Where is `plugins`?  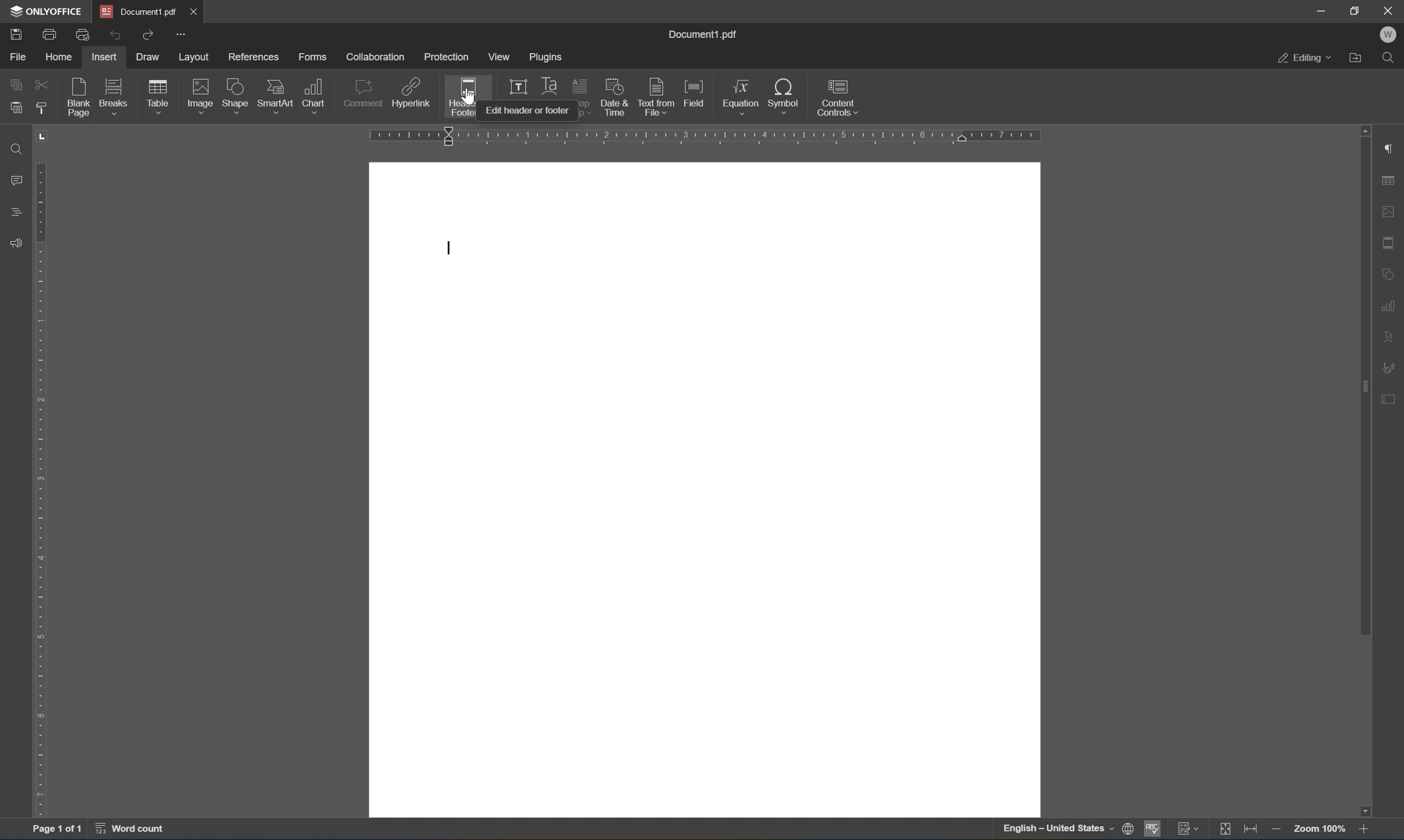
plugins is located at coordinates (547, 55).